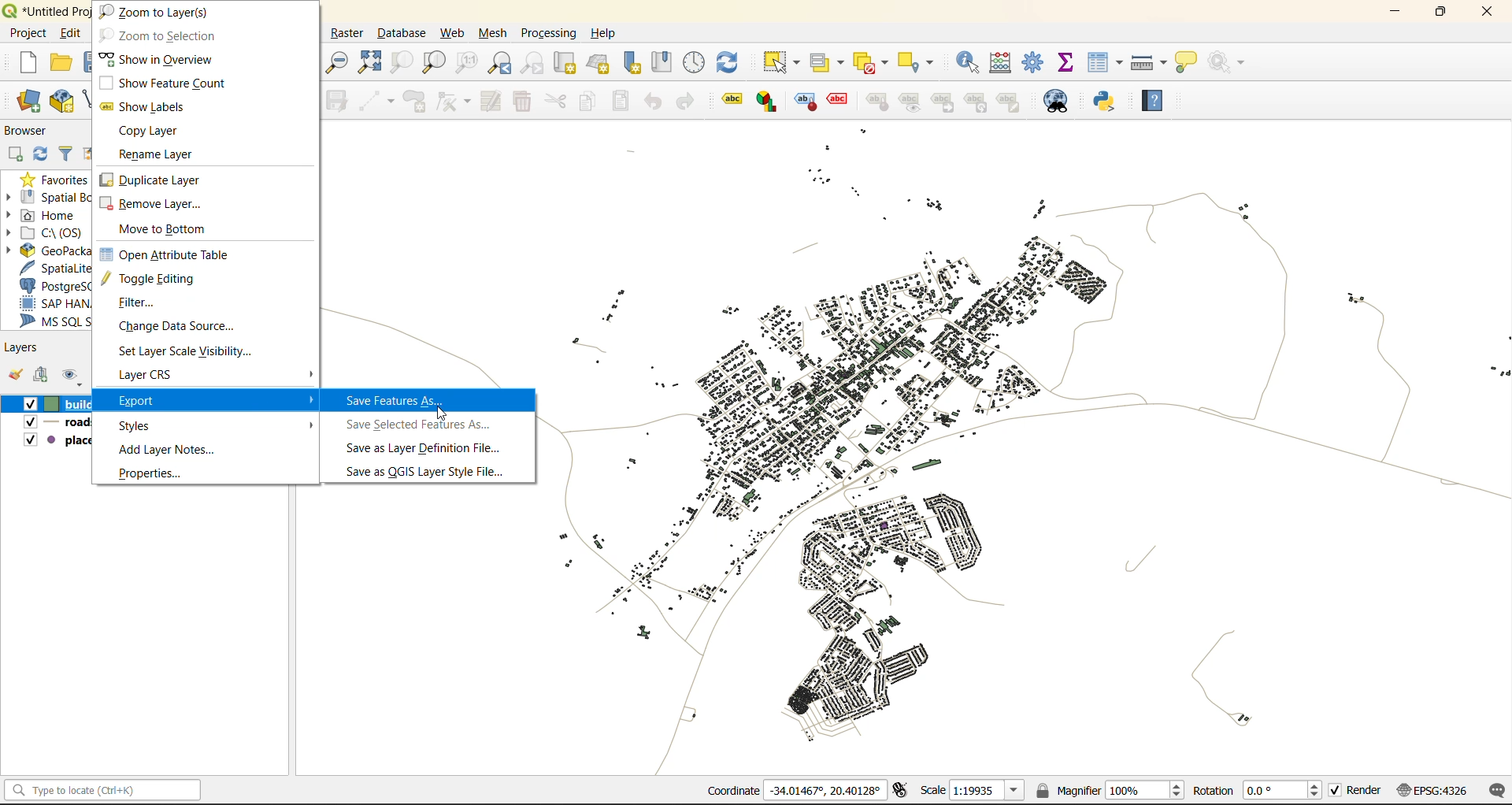 This screenshot has width=1512, height=805. Describe the element at coordinates (150, 110) in the screenshot. I see `show labels` at that location.